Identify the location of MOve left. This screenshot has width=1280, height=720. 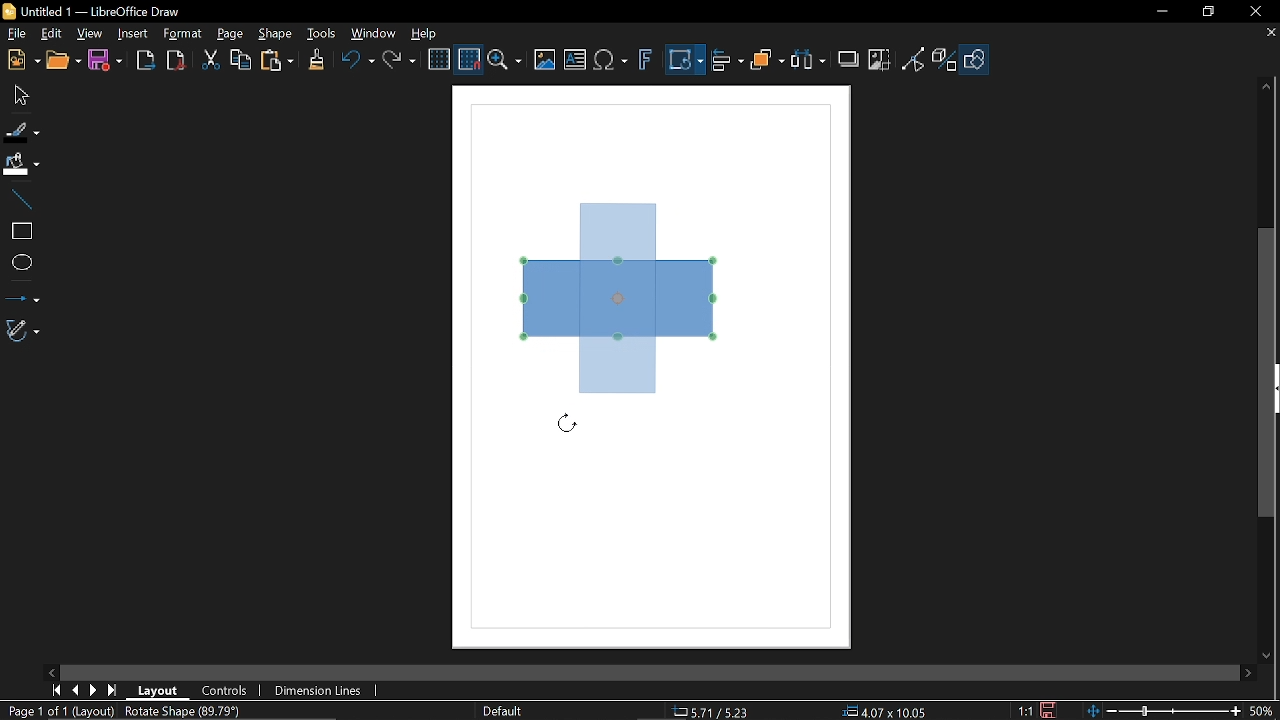
(52, 671).